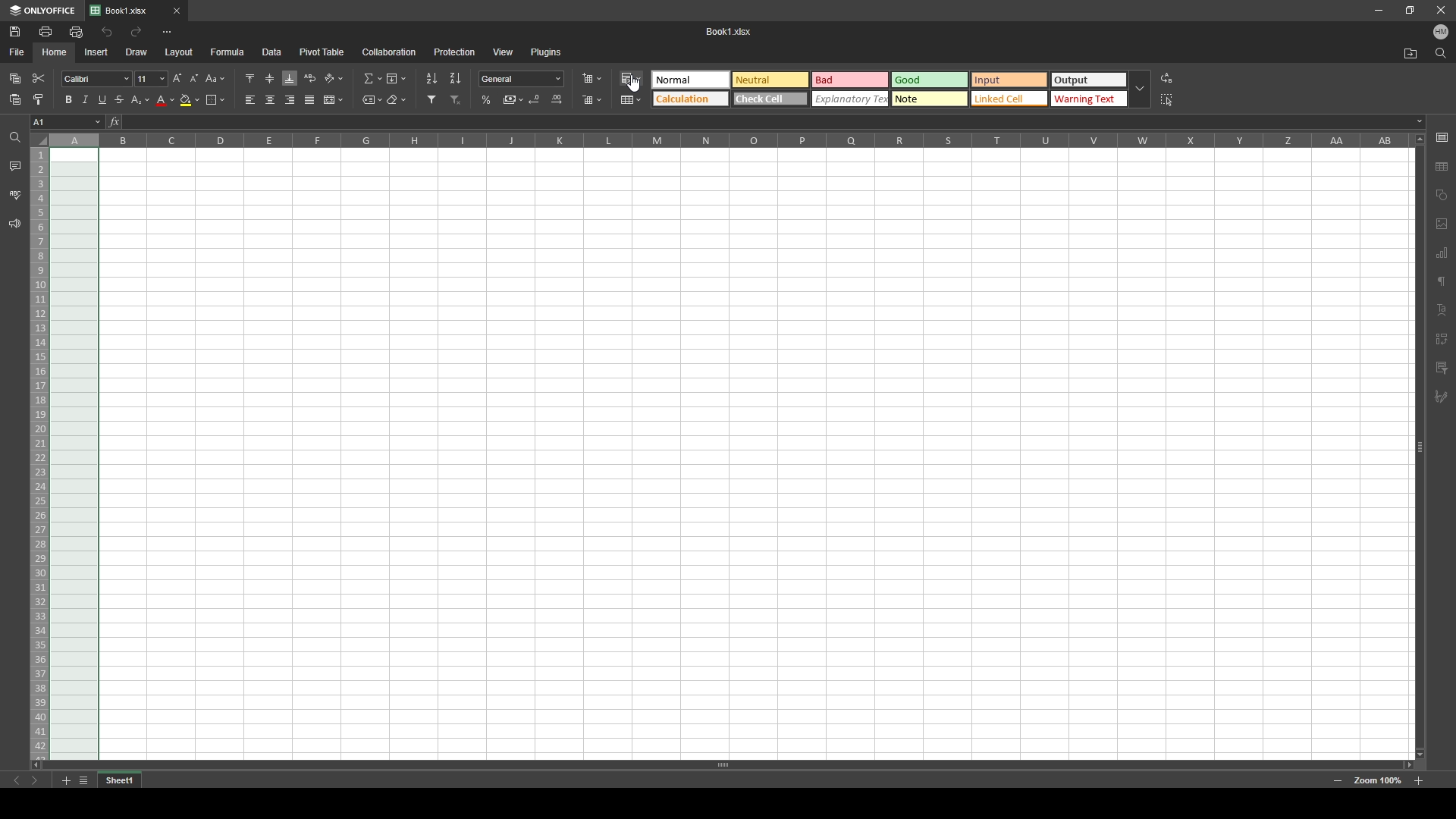 Image resolution: width=1456 pixels, height=819 pixels. What do you see at coordinates (120, 100) in the screenshot?
I see `strikethrough` at bounding box center [120, 100].